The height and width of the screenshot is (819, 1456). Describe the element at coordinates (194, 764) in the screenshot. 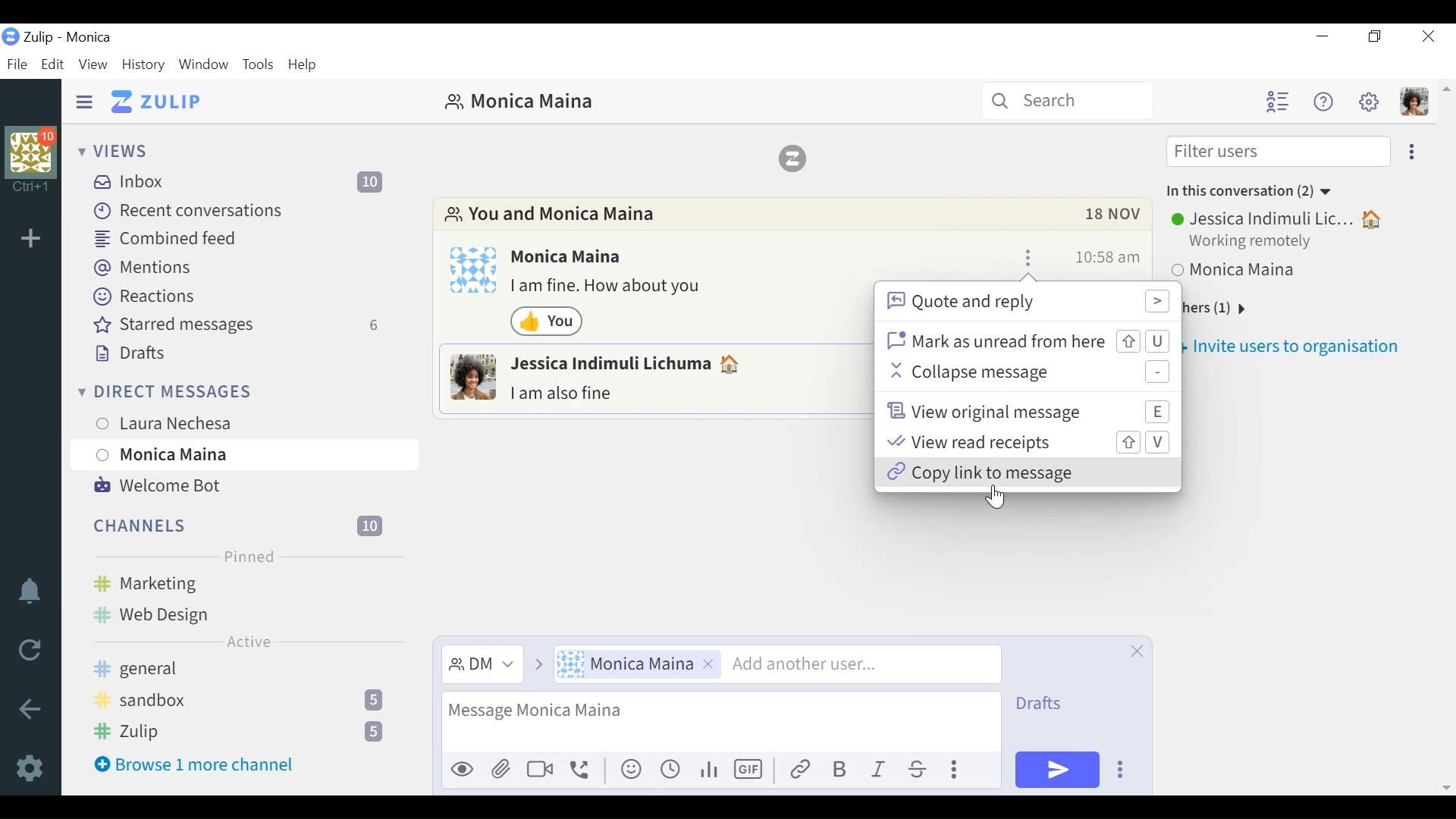

I see `Browse 1 more channel` at that location.